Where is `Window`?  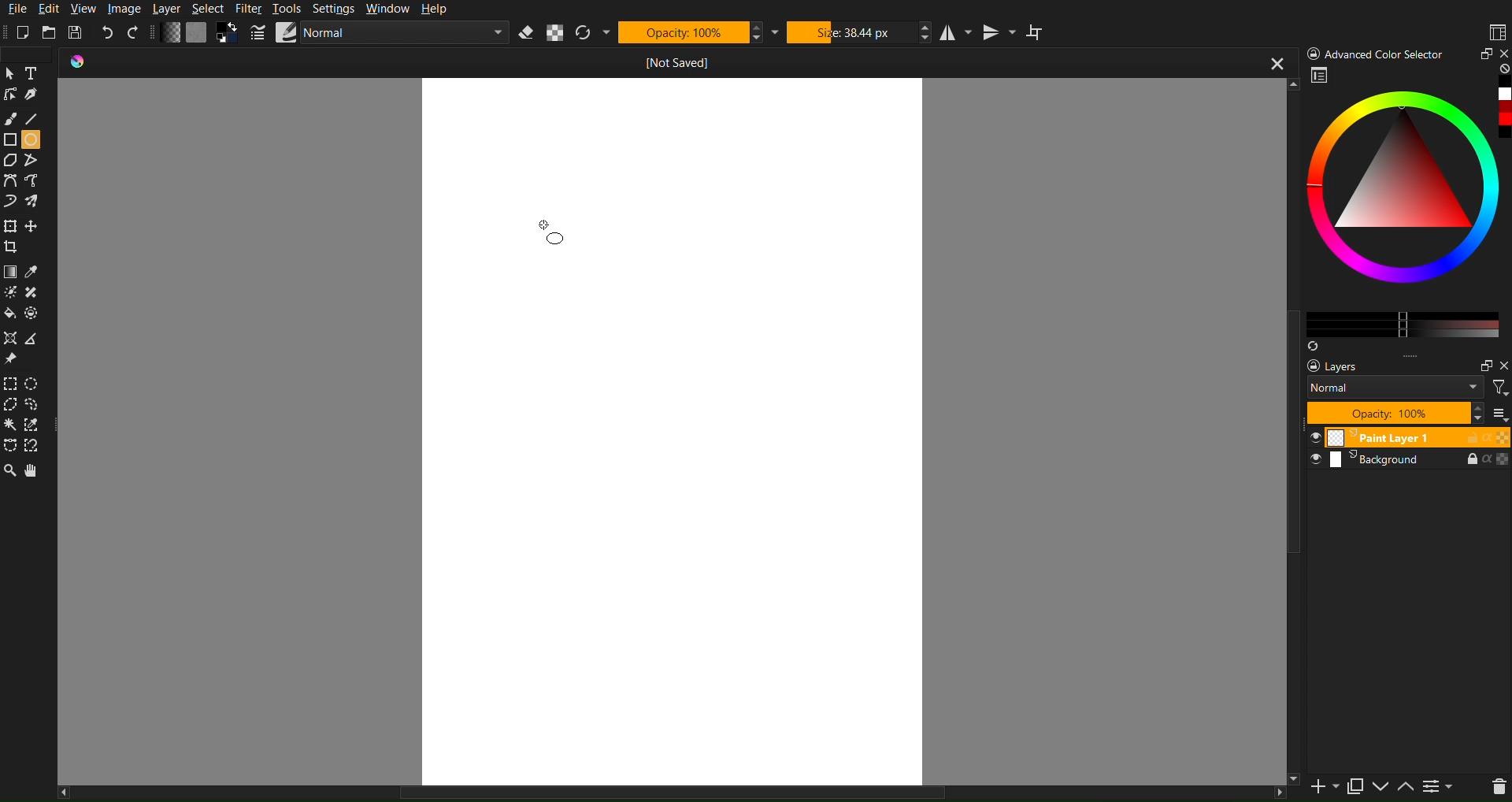
Window is located at coordinates (390, 9).